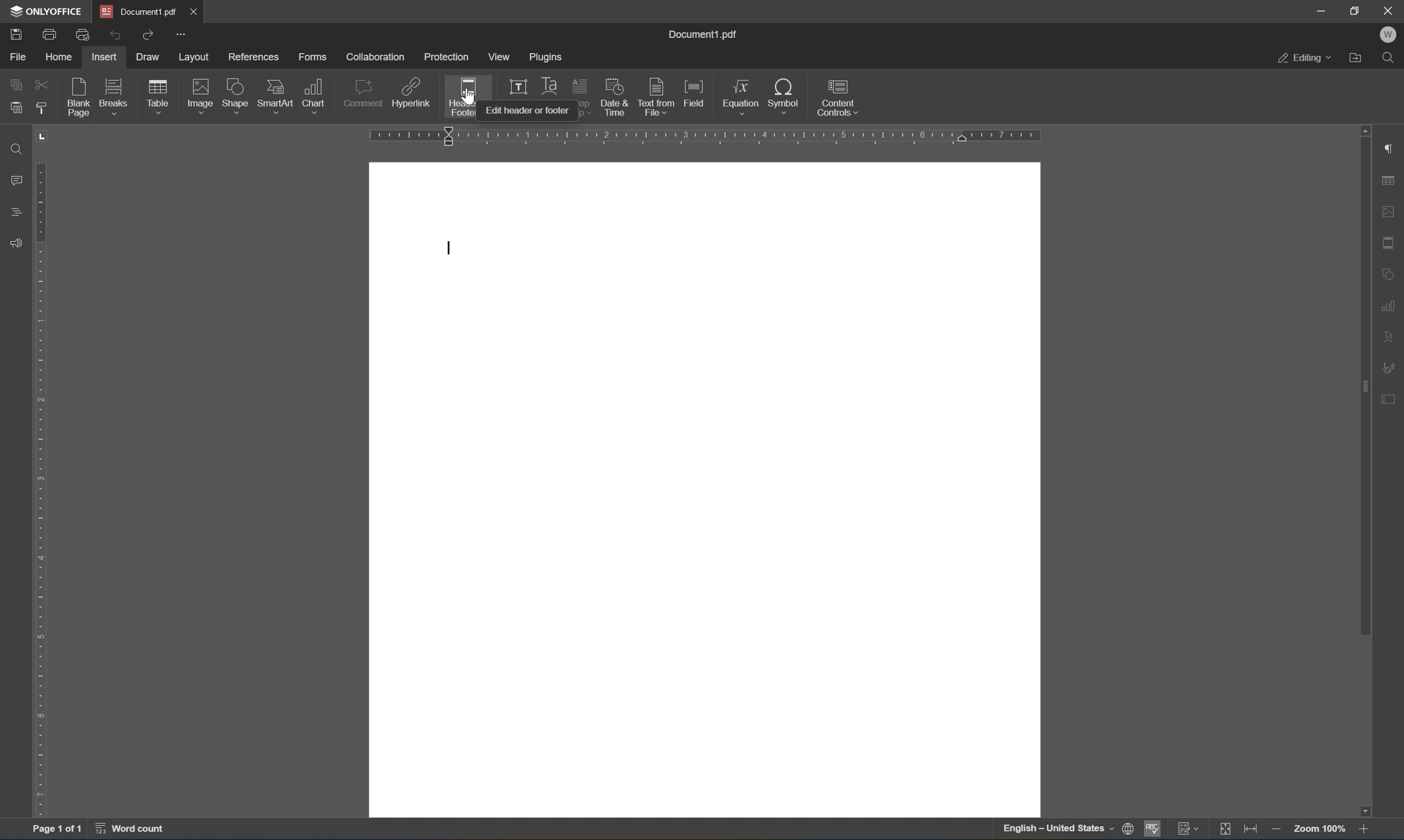  Describe the element at coordinates (581, 87) in the screenshot. I see `drop cap` at that location.